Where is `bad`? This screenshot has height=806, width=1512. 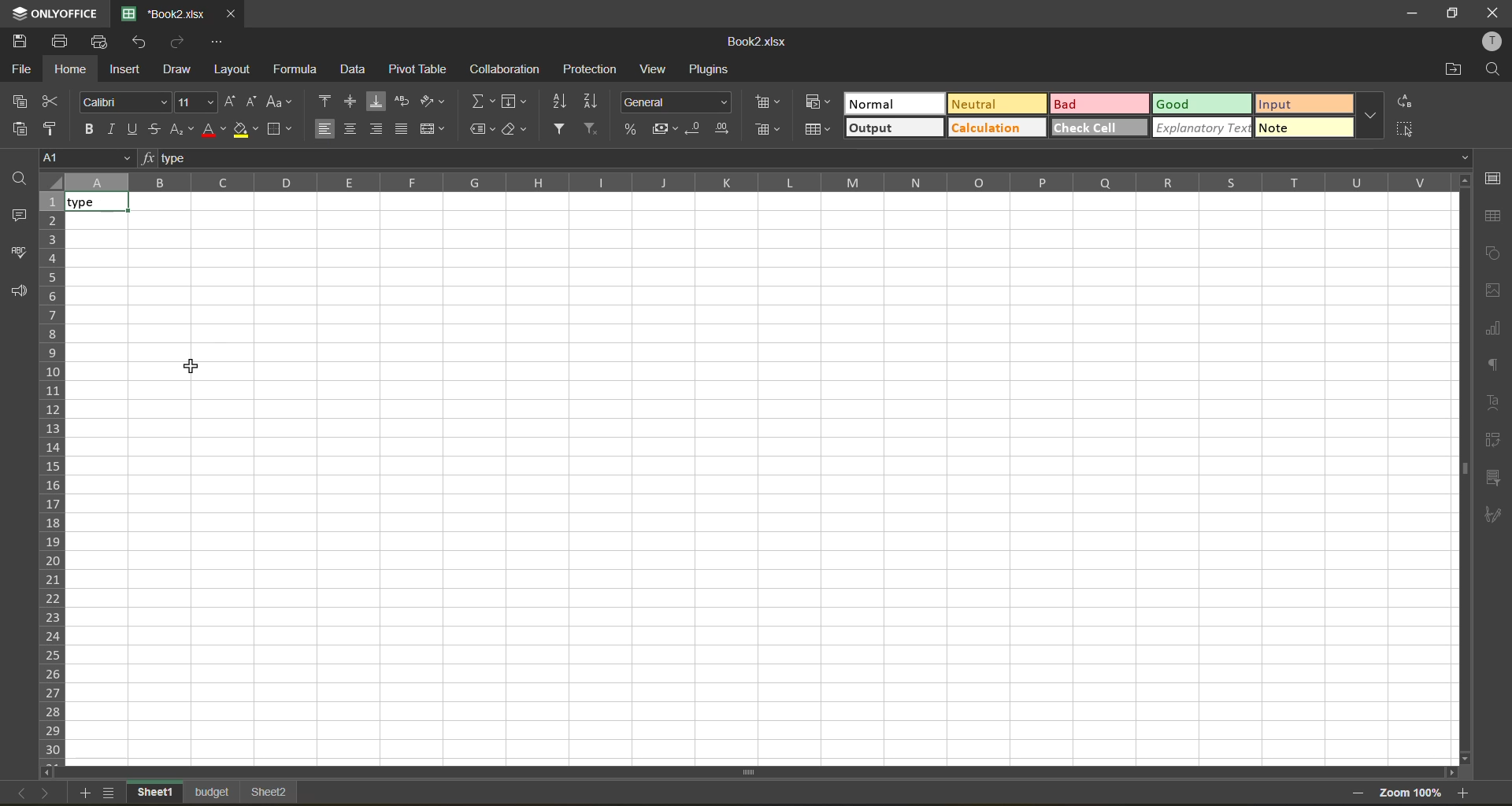
bad is located at coordinates (1096, 102).